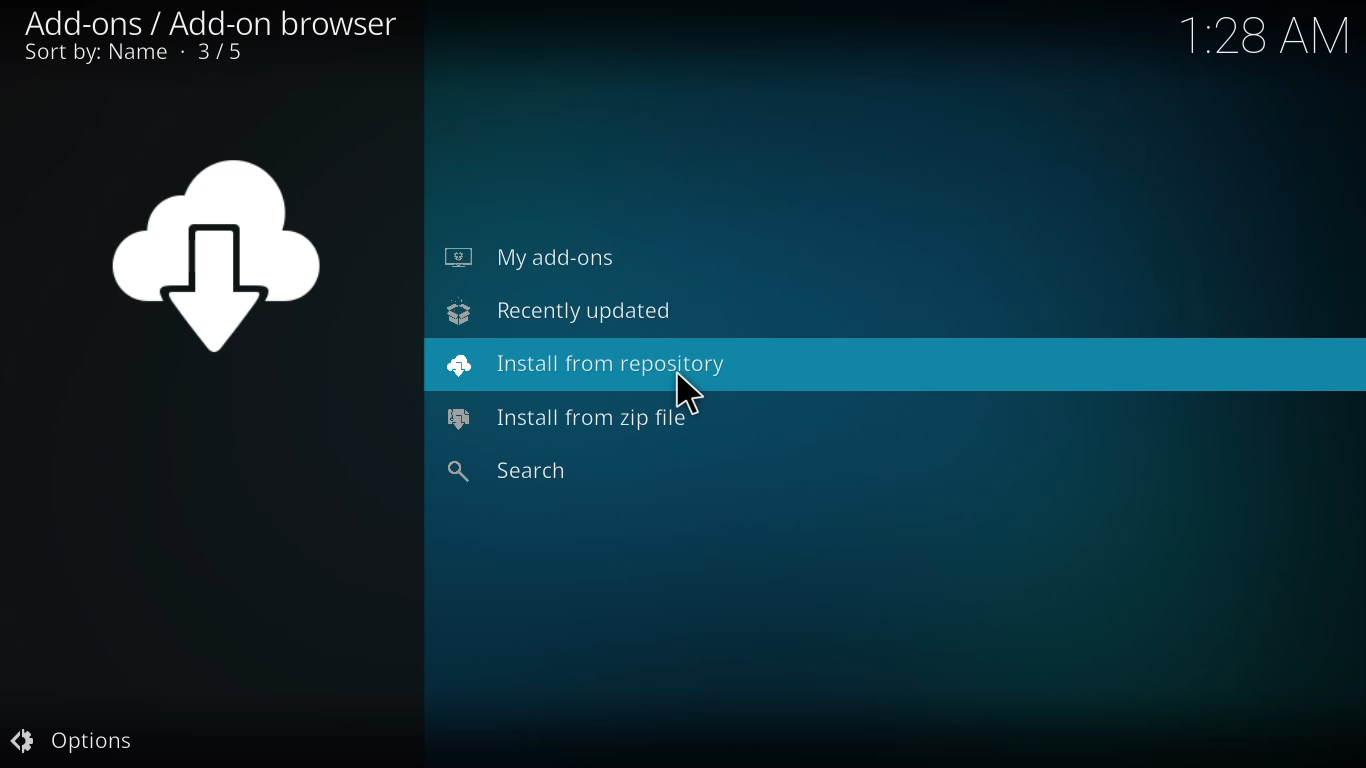 The height and width of the screenshot is (768, 1366). I want to click on install from zip file, so click(574, 421).